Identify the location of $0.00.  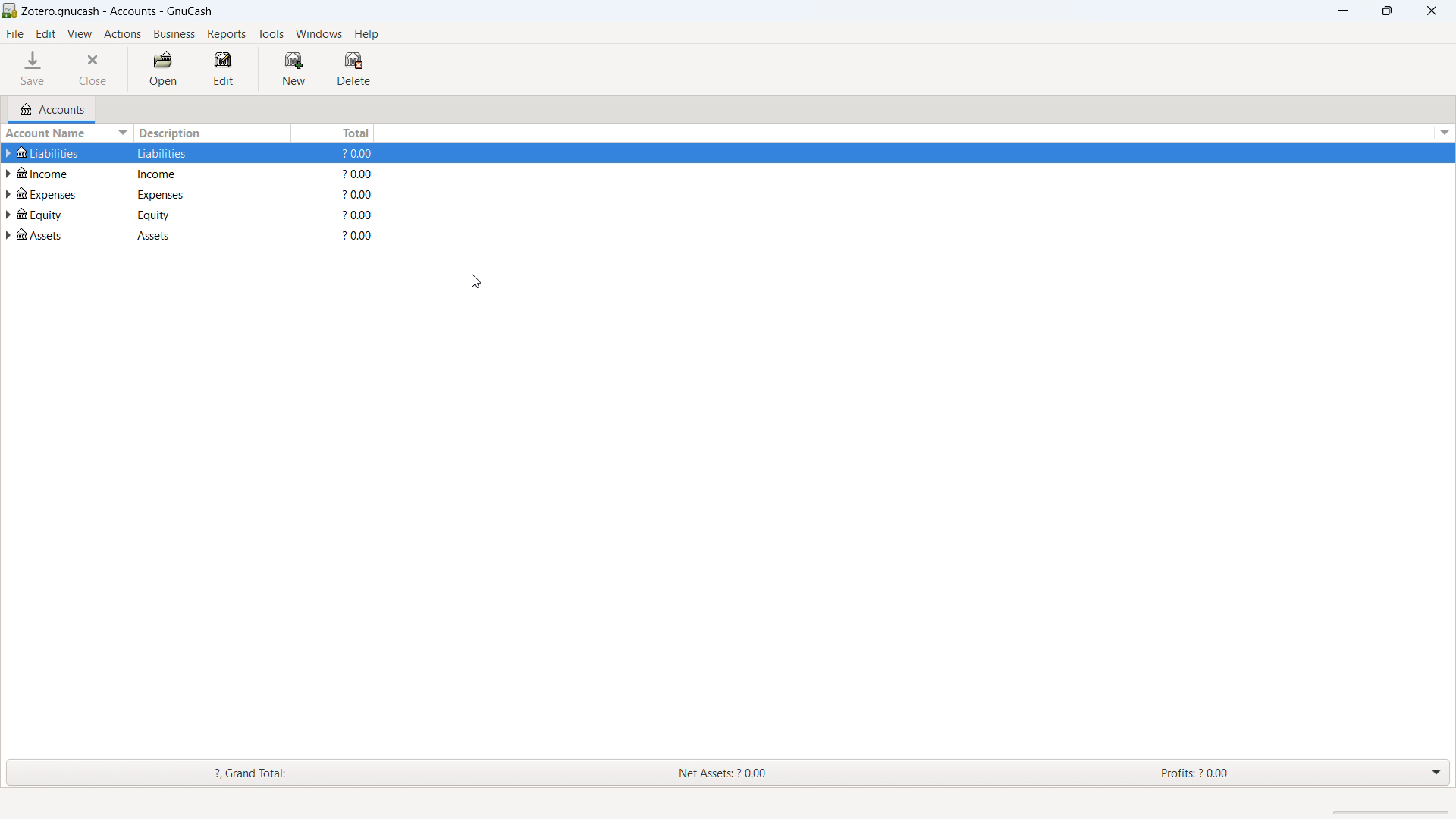
(362, 174).